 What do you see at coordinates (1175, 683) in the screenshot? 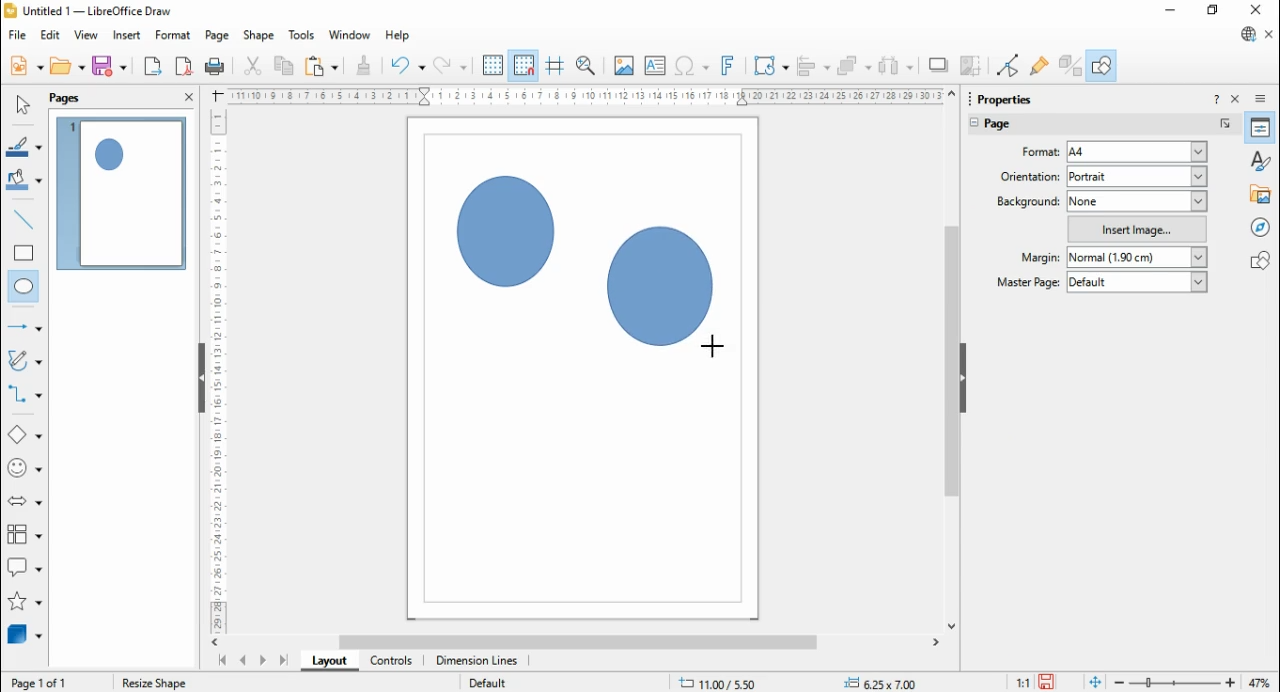
I see `zoom slider` at bounding box center [1175, 683].